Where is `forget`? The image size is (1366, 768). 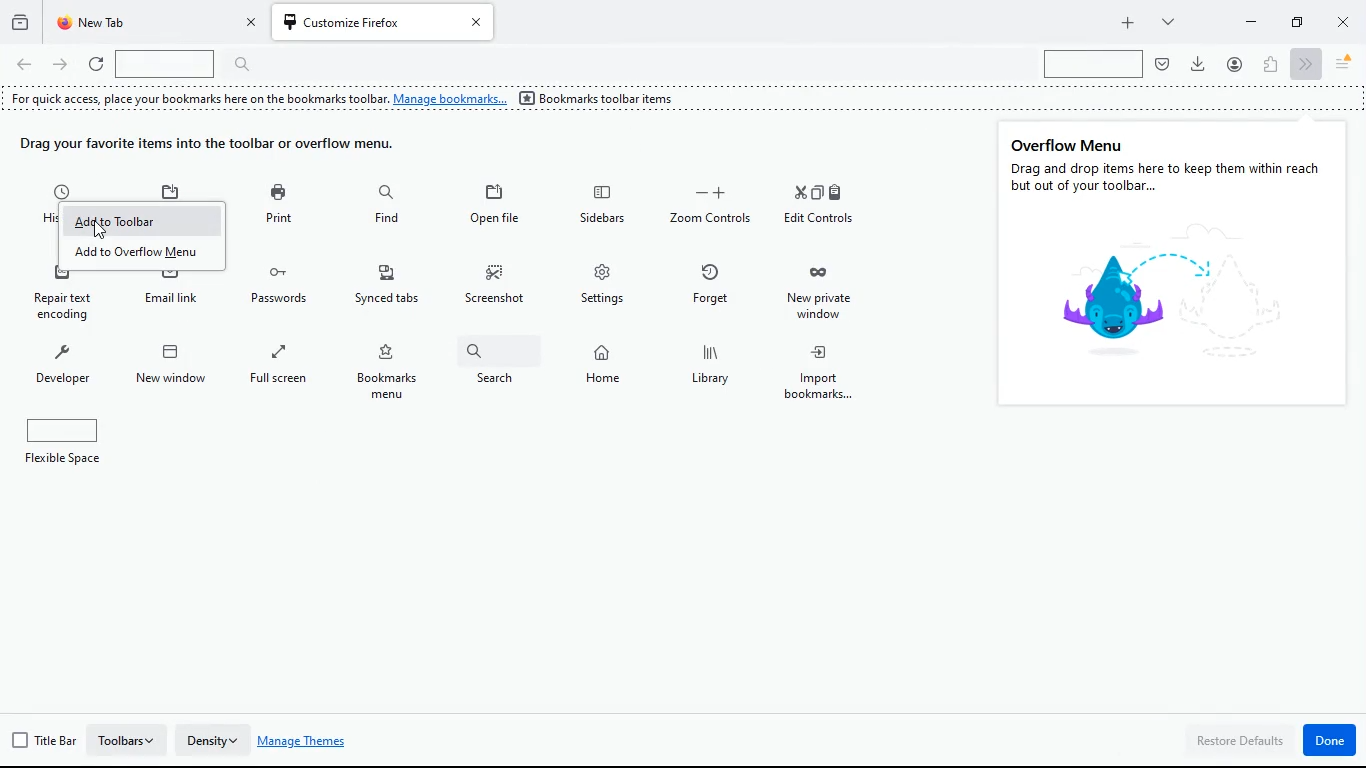 forget is located at coordinates (715, 287).